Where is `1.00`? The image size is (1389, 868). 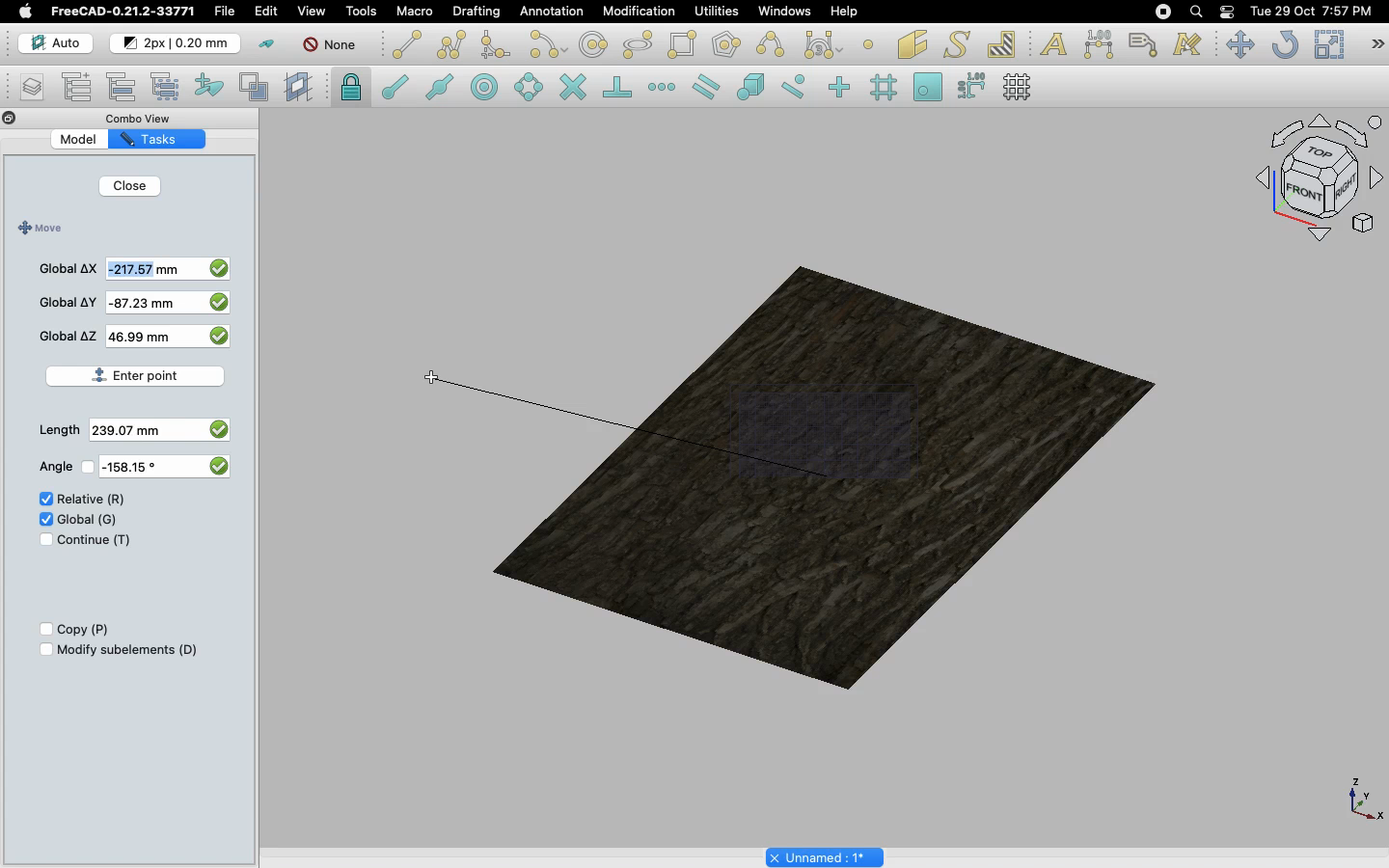 1.00 is located at coordinates (139, 271).